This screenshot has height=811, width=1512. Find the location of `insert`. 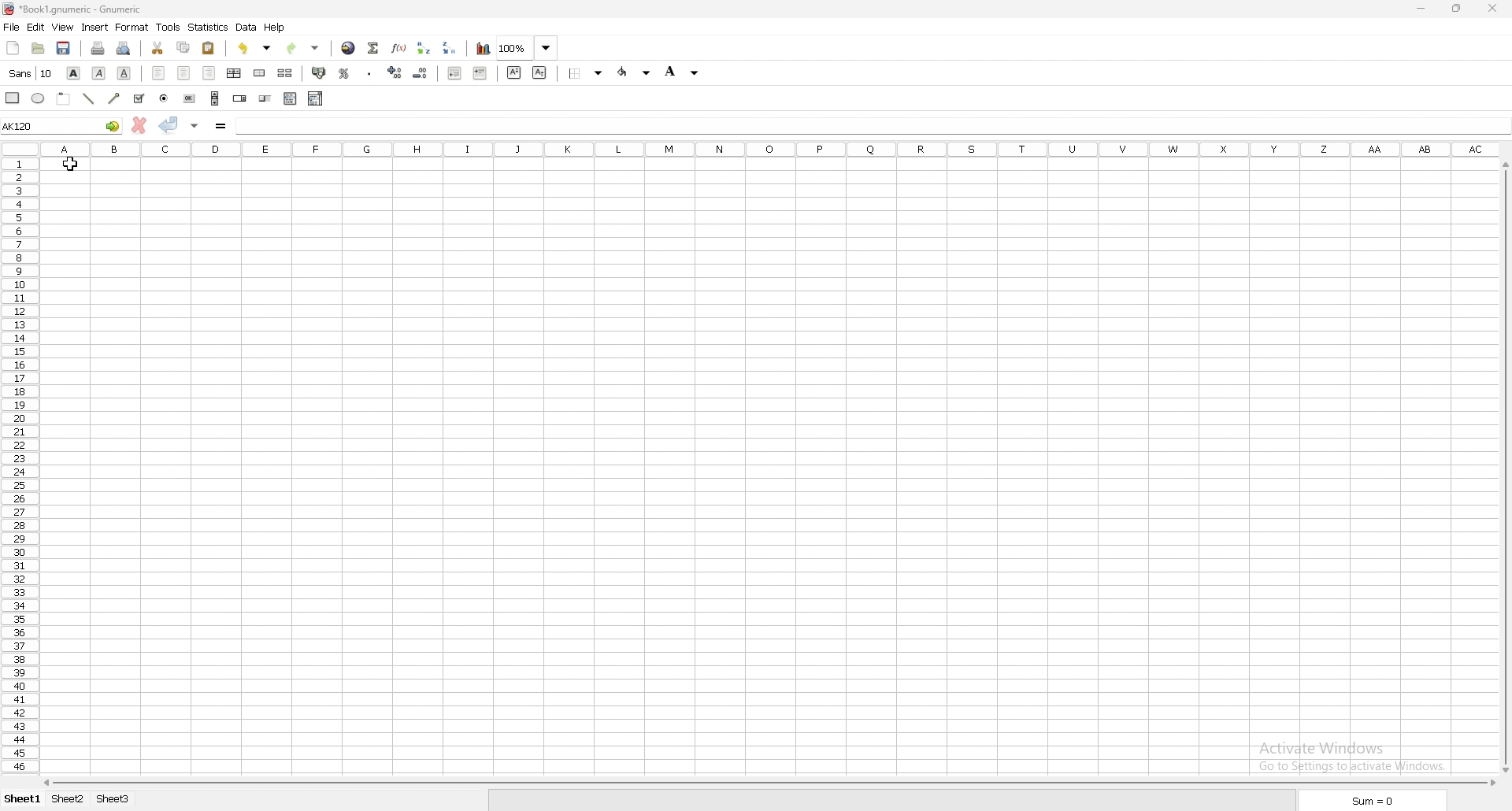

insert is located at coordinates (96, 26).